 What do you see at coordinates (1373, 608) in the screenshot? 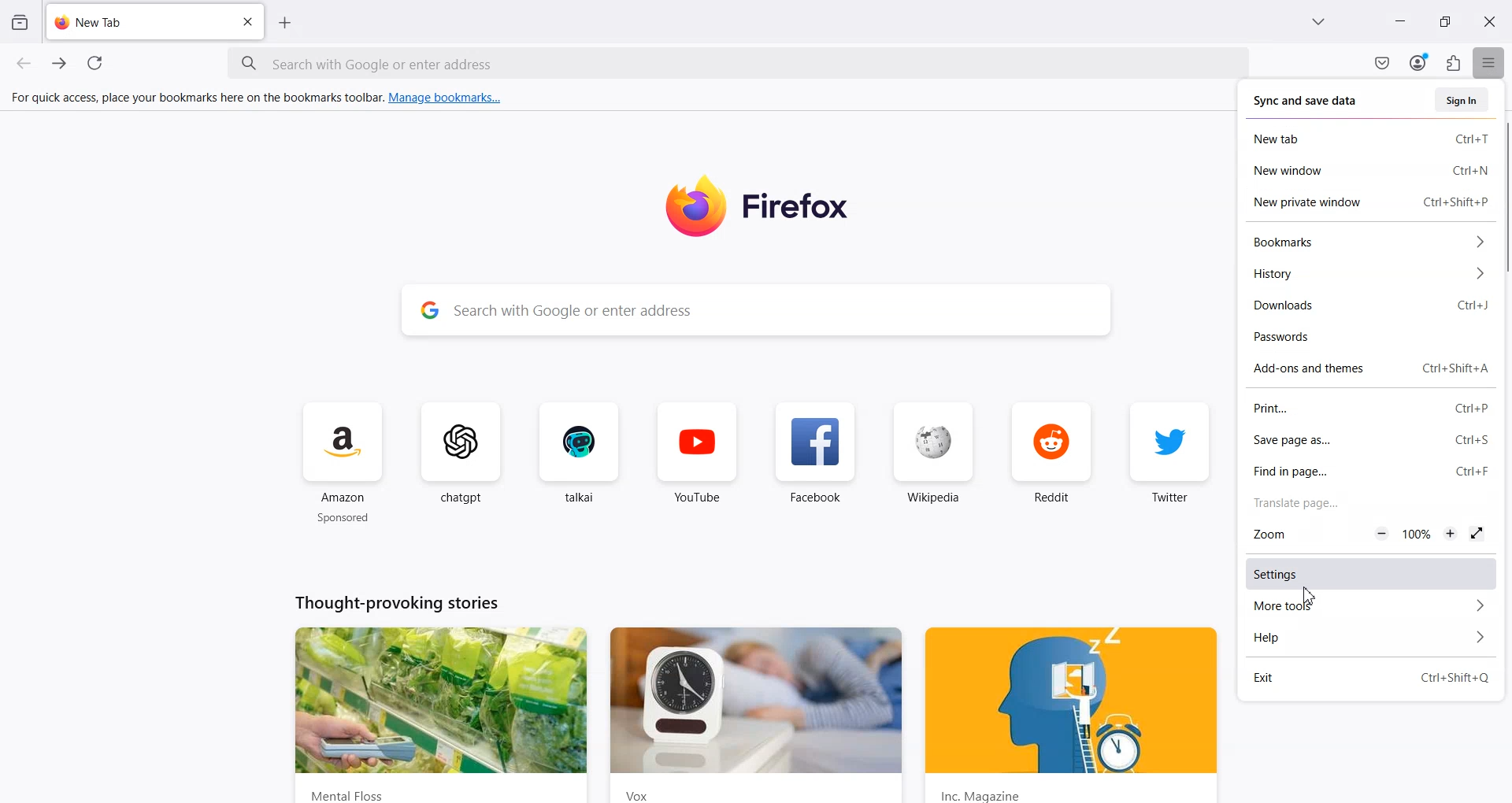
I see `More toolé® >` at bounding box center [1373, 608].